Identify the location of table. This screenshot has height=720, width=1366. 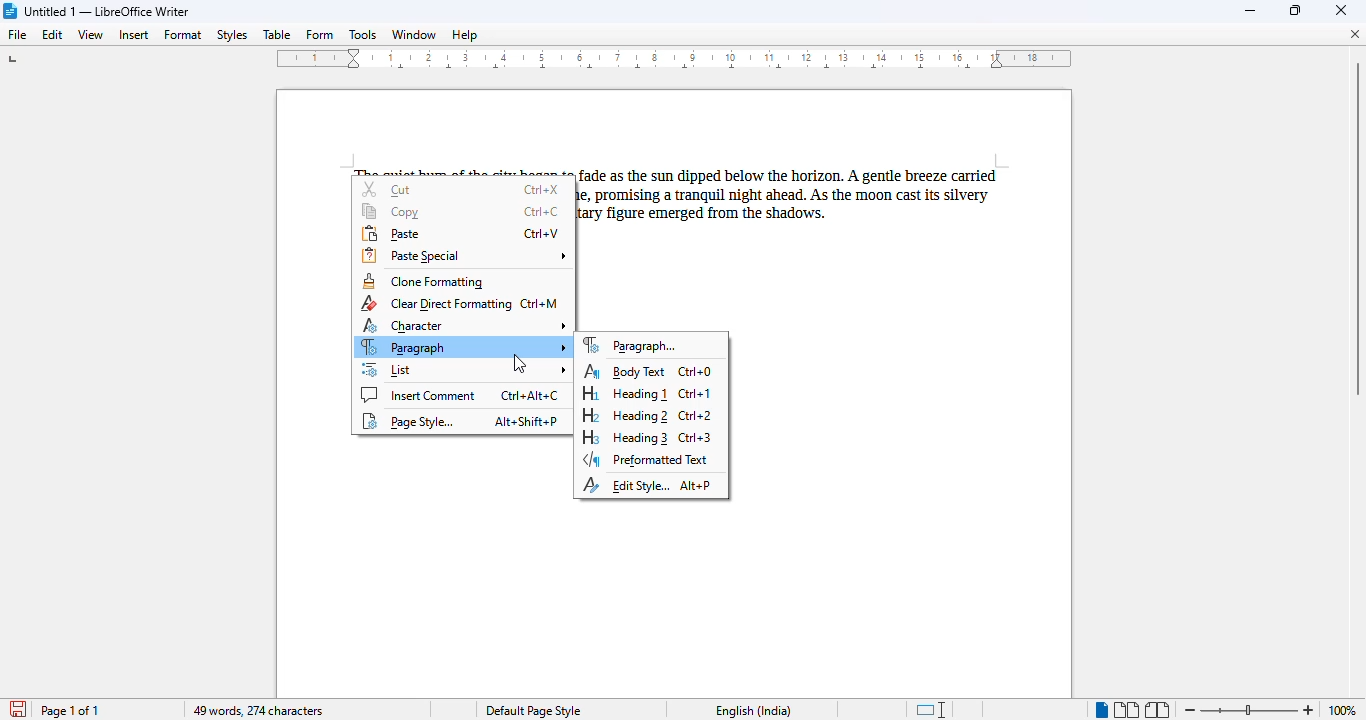
(277, 34).